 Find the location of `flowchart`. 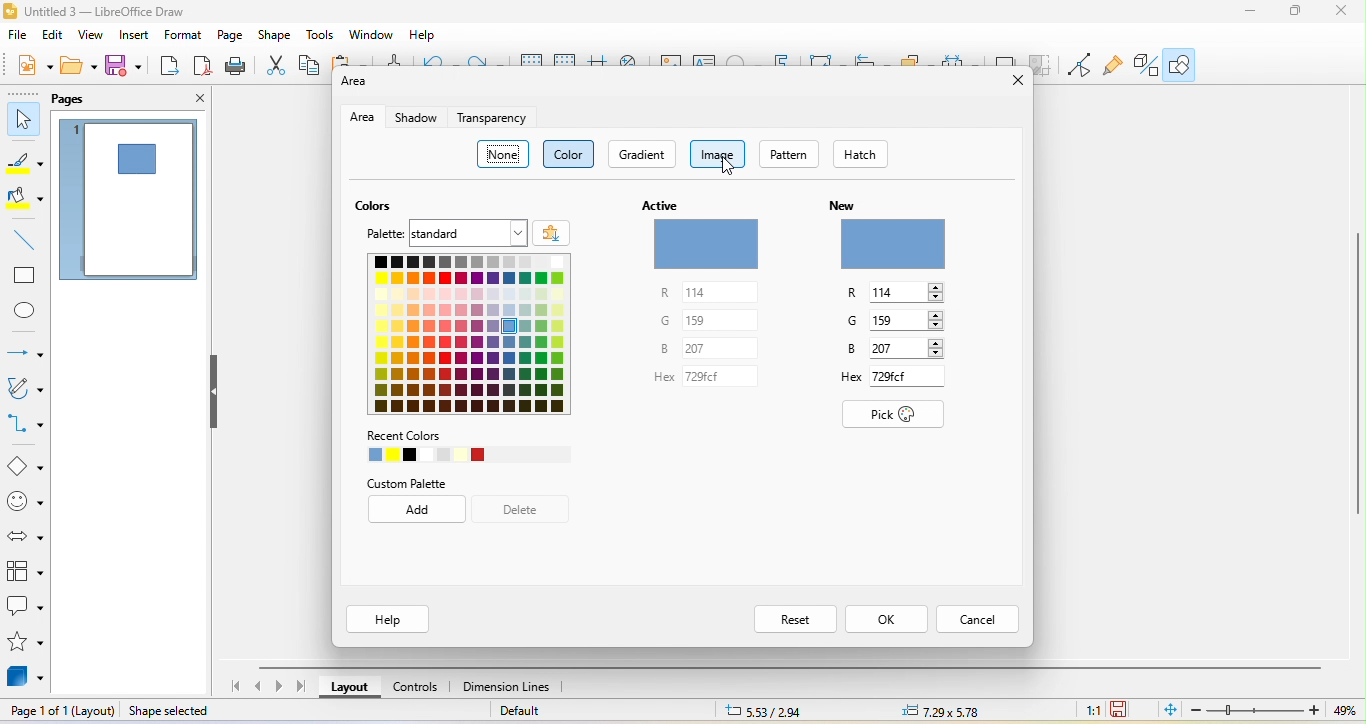

flowchart is located at coordinates (25, 571).